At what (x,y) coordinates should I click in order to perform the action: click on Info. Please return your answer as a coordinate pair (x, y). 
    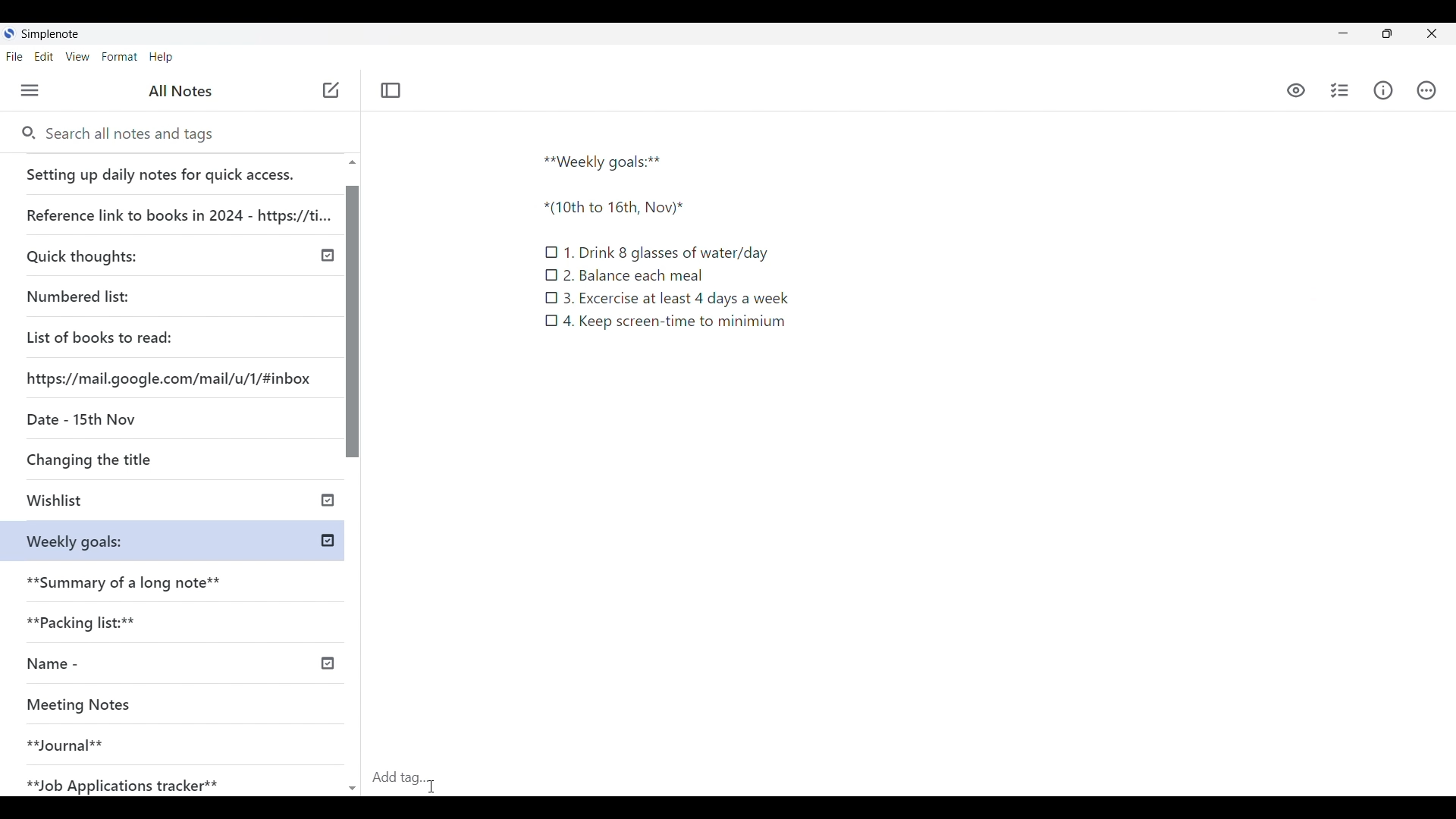
    Looking at the image, I should click on (1382, 91).